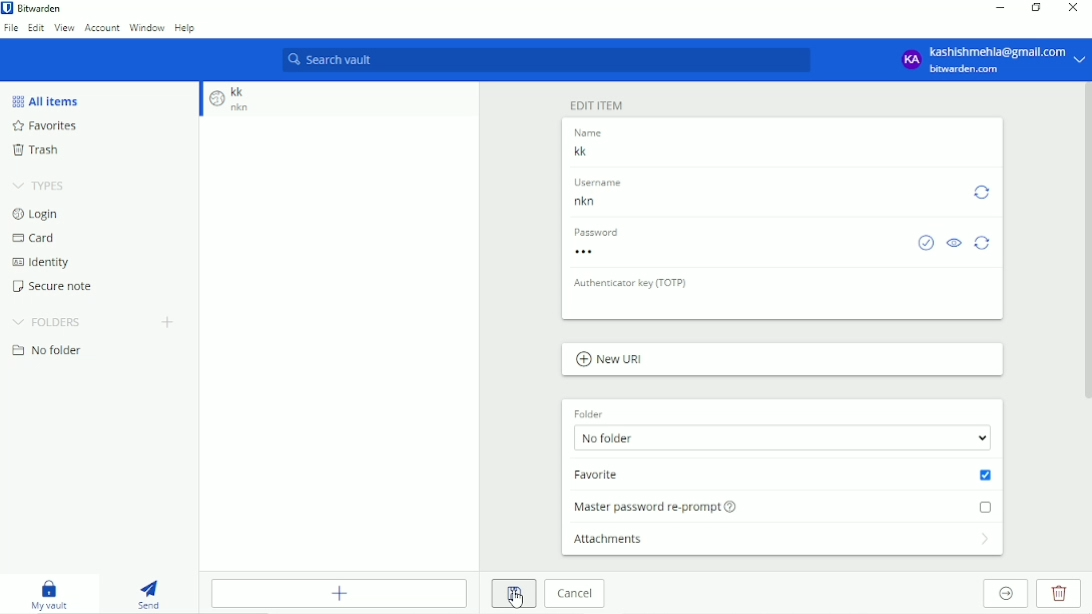  What do you see at coordinates (592, 413) in the screenshot?
I see `Folder` at bounding box center [592, 413].